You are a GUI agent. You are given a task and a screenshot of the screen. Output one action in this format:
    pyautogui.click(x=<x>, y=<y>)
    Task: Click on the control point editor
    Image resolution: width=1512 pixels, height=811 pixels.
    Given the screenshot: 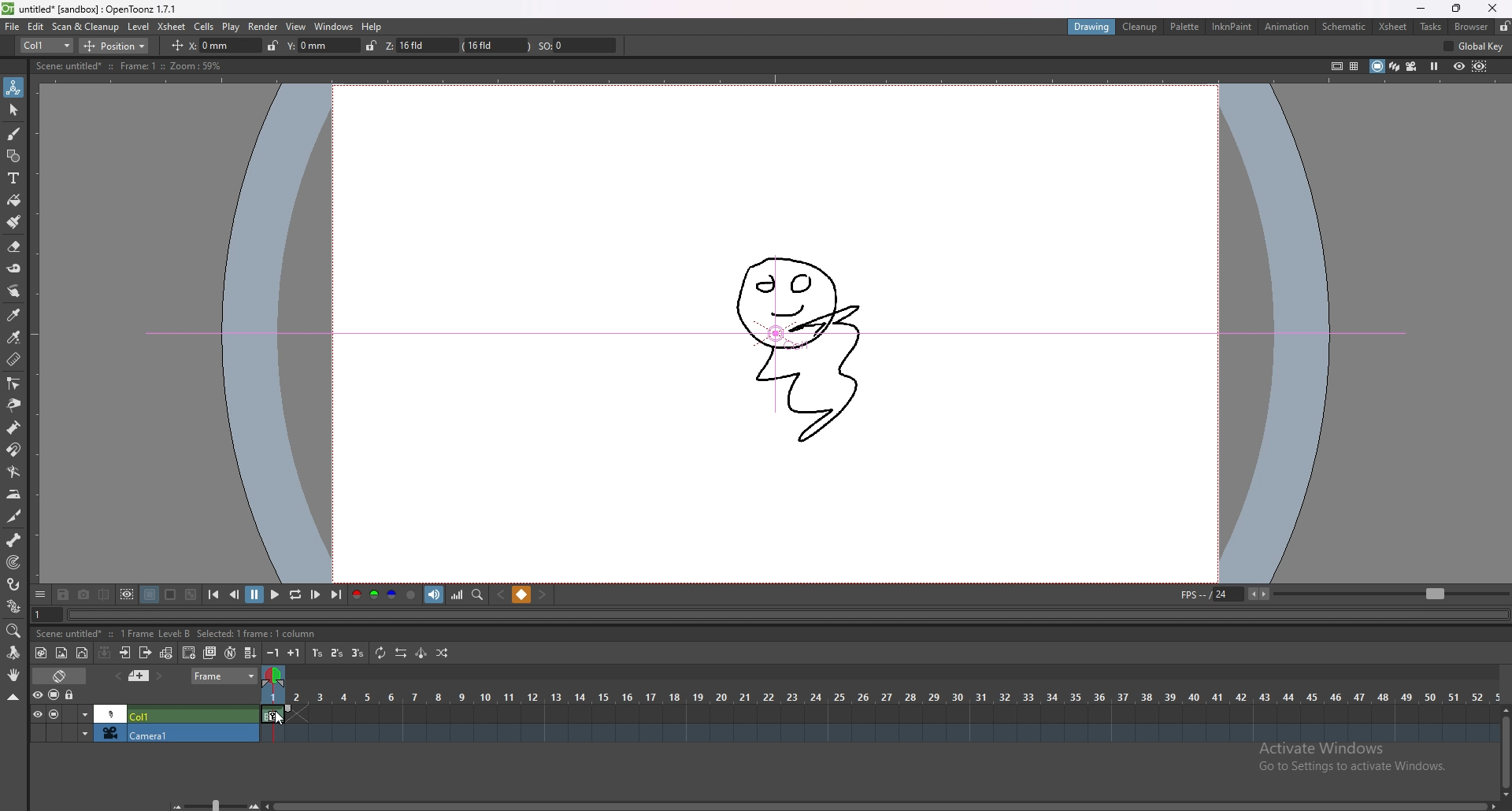 What is the action you would take?
    pyautogui.click(x=13, y=383)
    